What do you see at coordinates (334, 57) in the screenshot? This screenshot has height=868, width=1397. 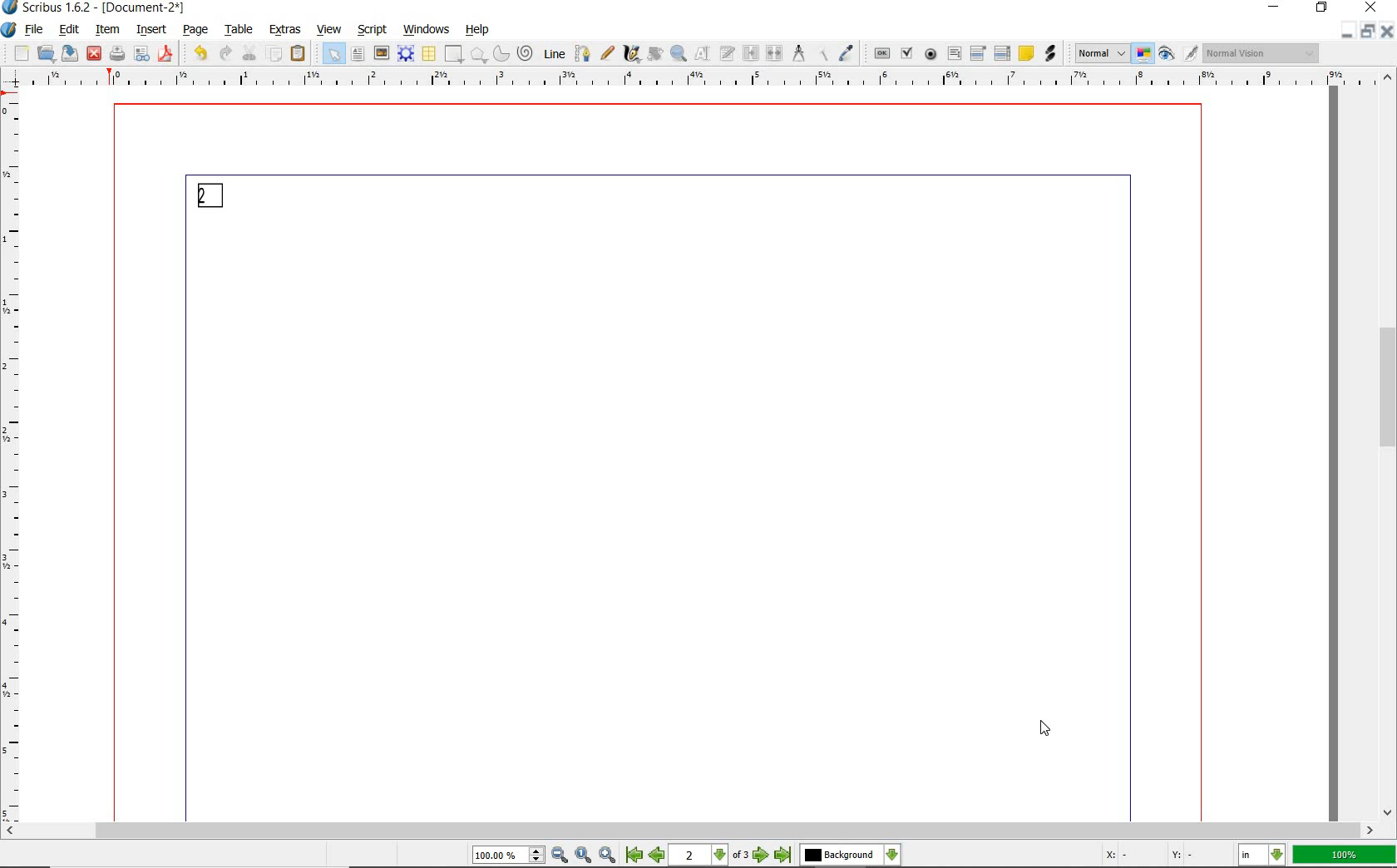 I see `select` at bounding box center [334, 57].